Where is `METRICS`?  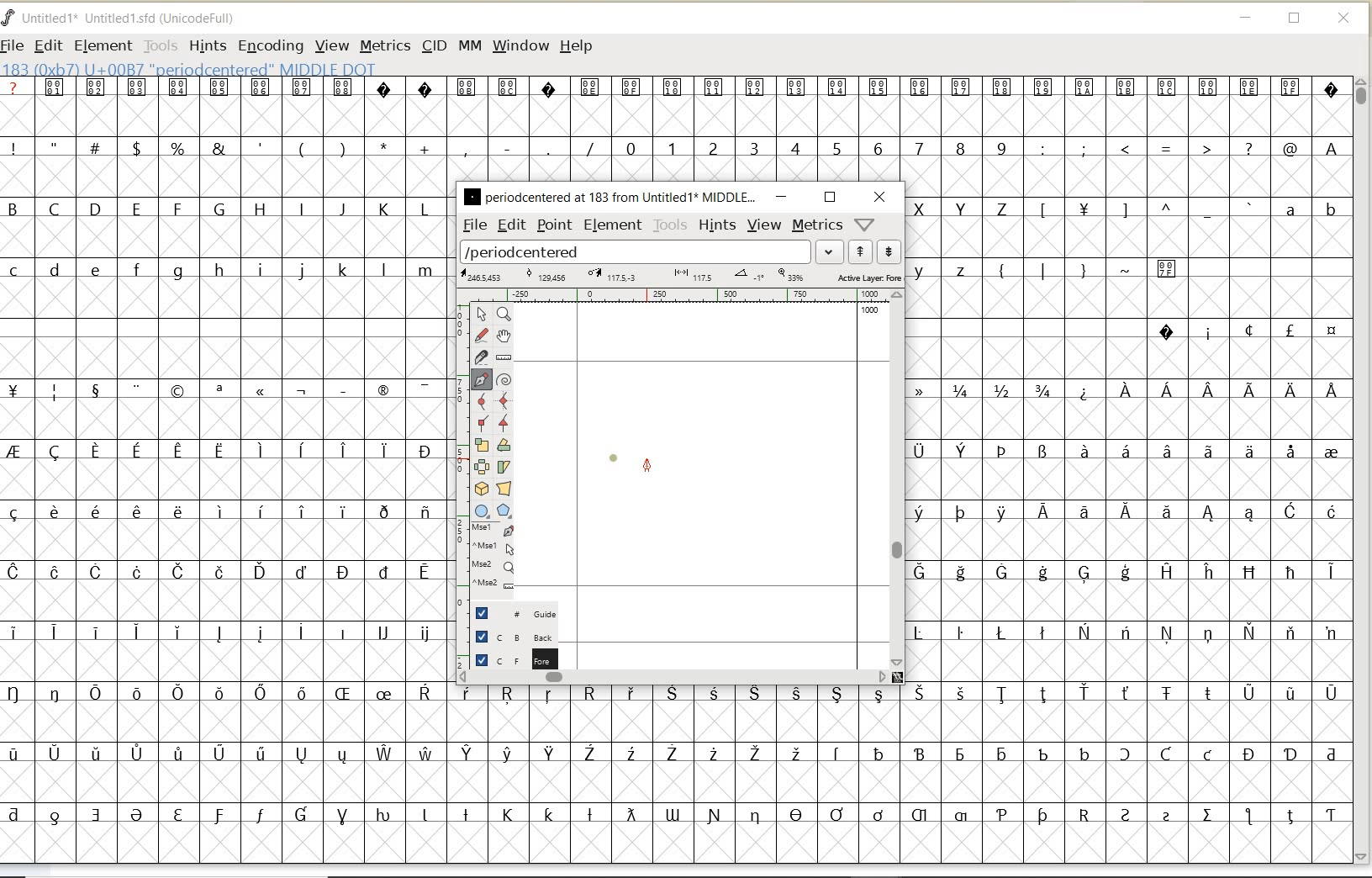 METRICS is located at coordinates (384, 47).